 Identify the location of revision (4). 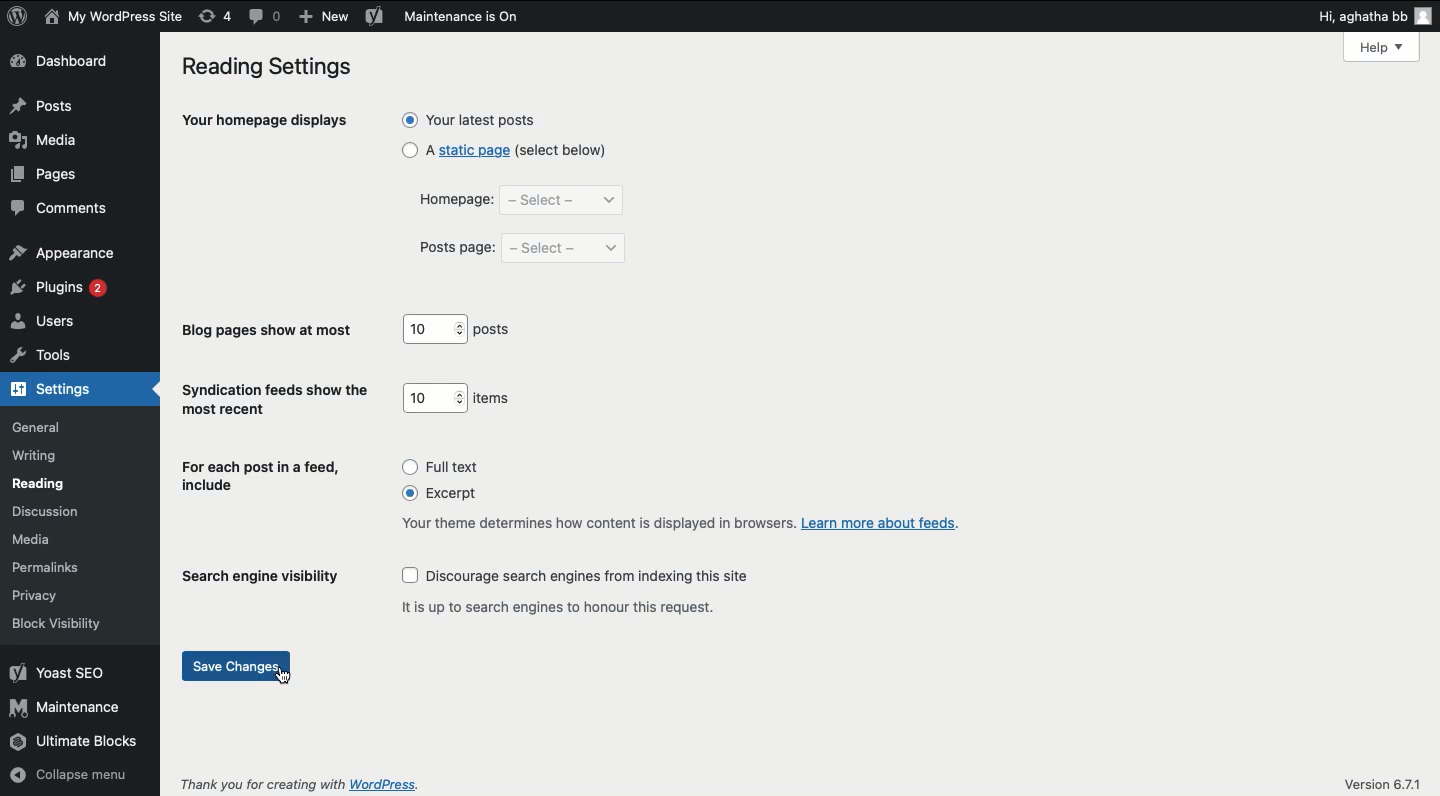
(214, 15).